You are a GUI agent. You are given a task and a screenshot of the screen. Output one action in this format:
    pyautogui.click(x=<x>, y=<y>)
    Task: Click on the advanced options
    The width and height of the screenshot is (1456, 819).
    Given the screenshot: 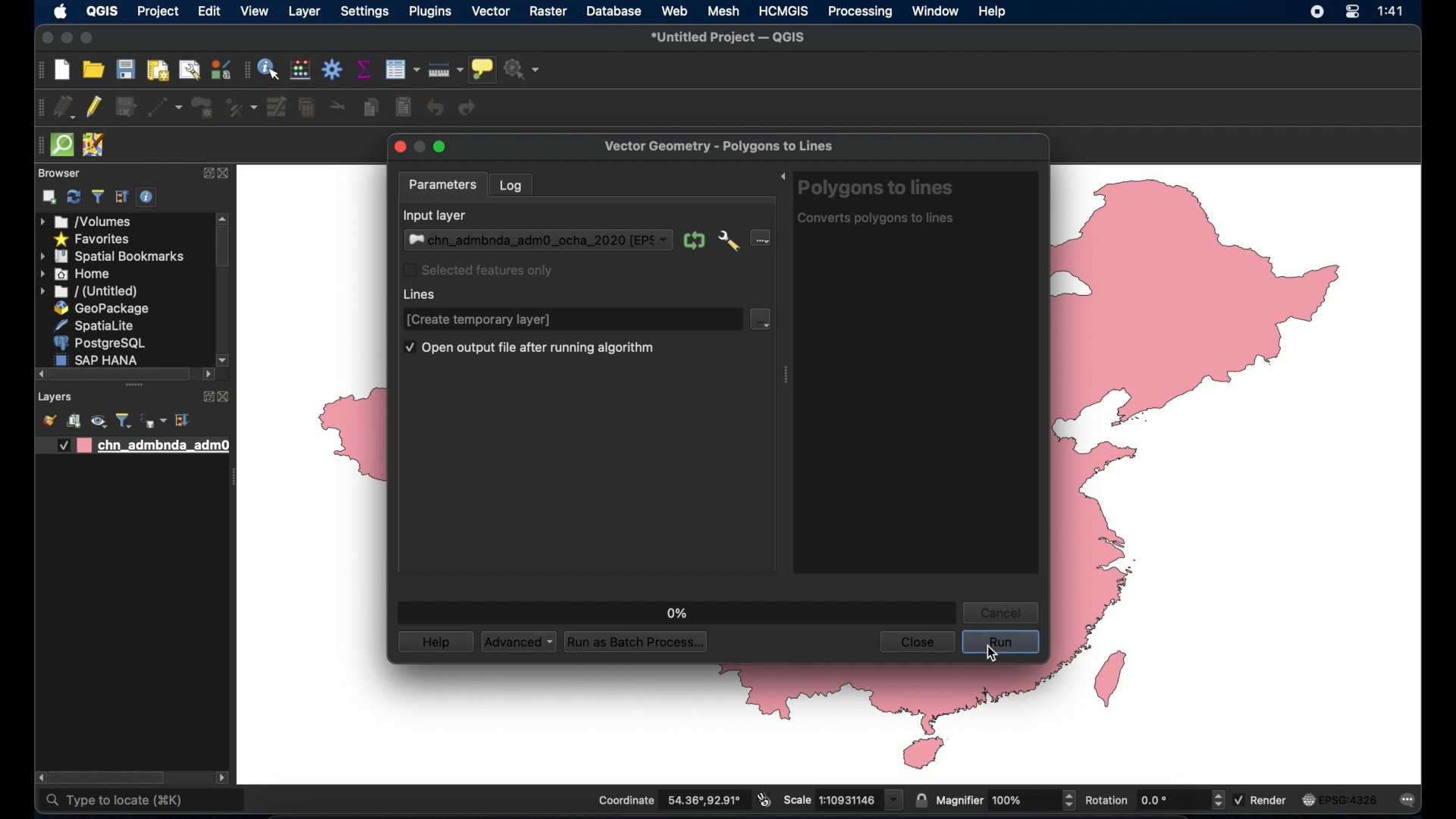 What is the action you would take?
    pyautogui.click(x=730, y=240)
    